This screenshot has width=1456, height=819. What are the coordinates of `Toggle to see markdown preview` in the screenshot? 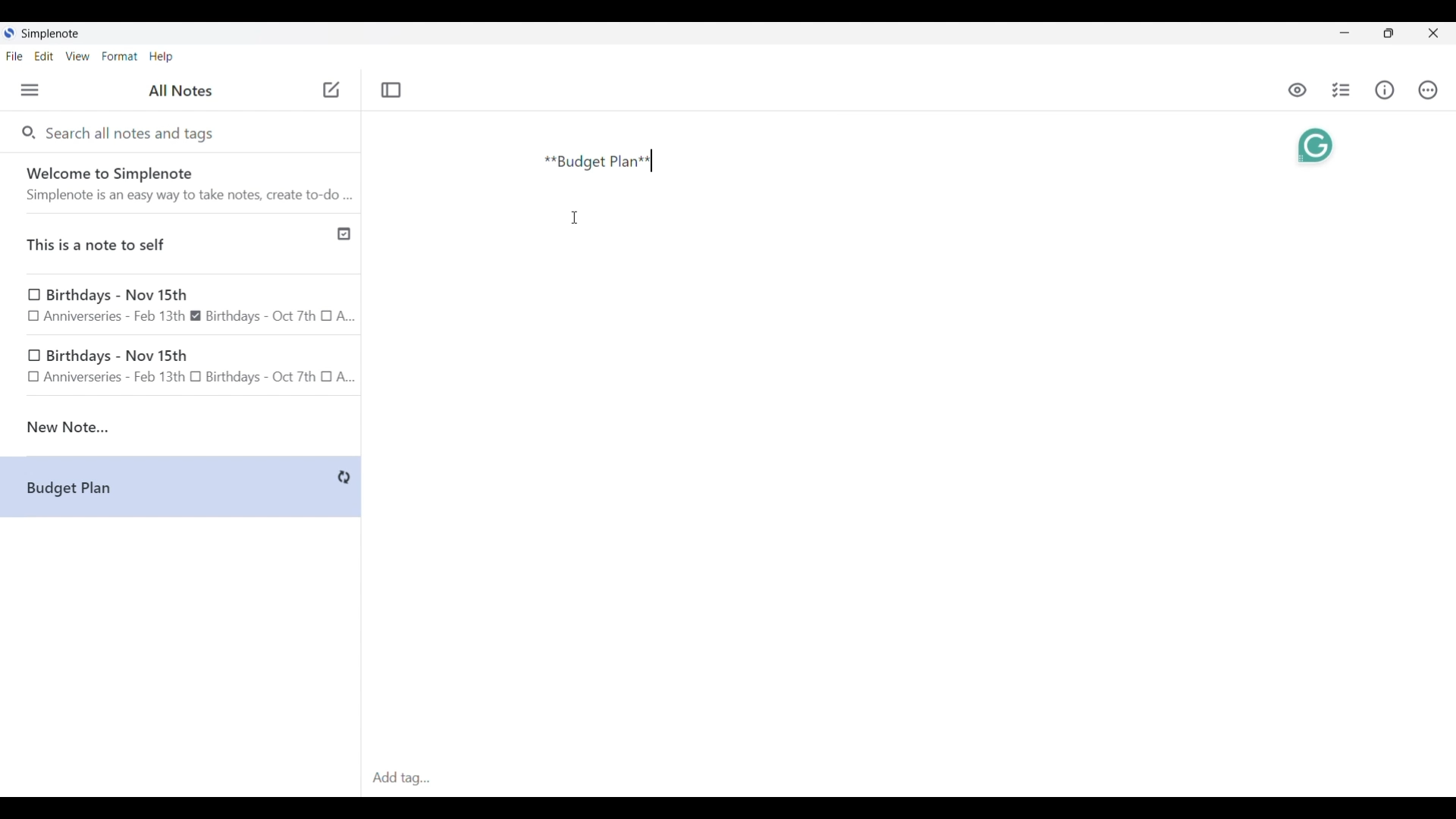 It's located at (1298, 90).